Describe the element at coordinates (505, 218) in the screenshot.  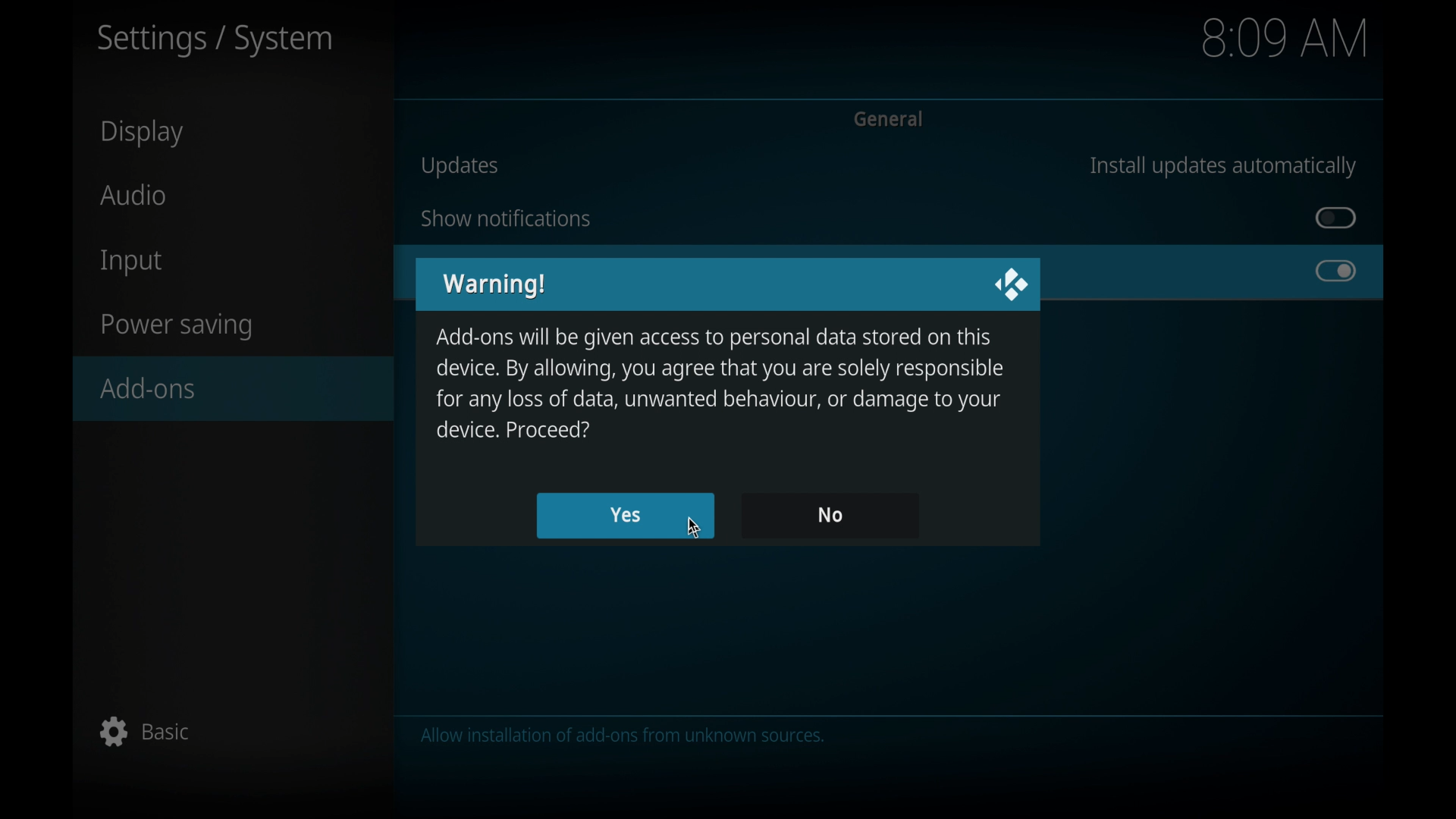
I see `show notifications` at that location.